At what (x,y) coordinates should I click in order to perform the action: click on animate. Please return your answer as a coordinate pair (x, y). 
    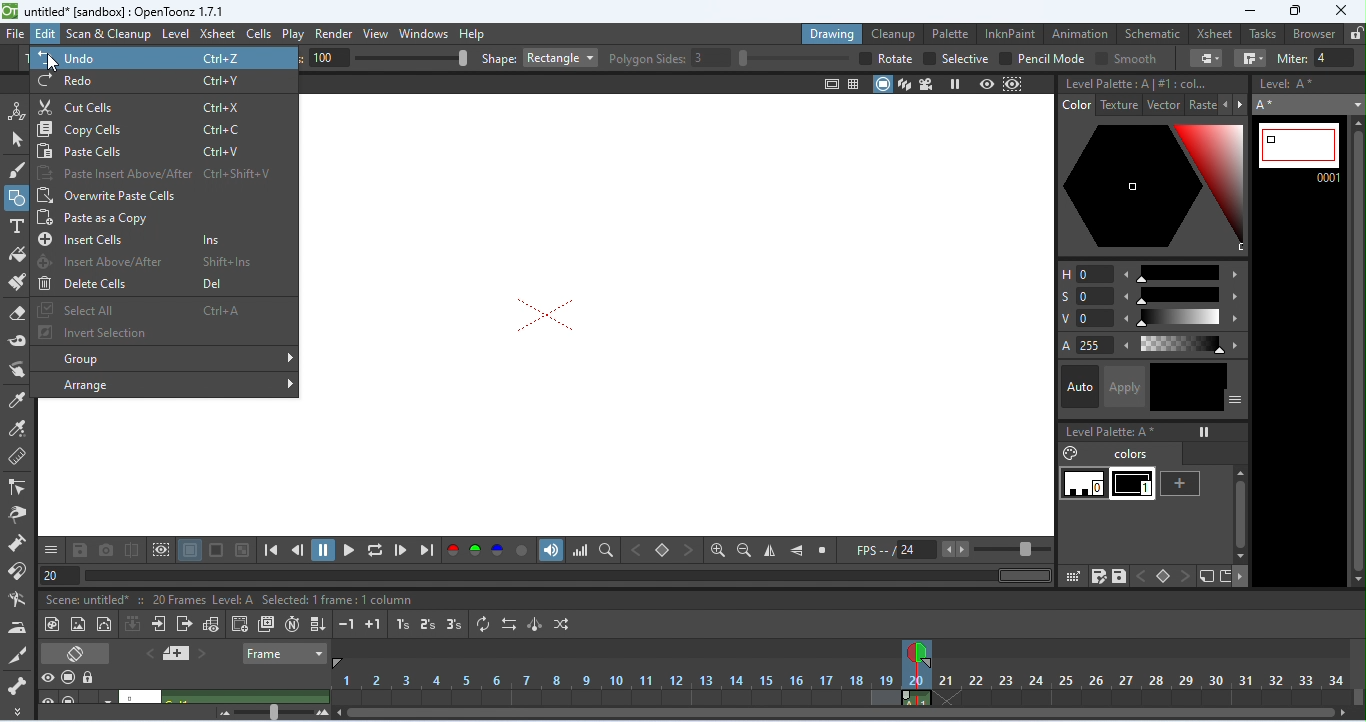
    Looking at the image, I should click on (16, 110).